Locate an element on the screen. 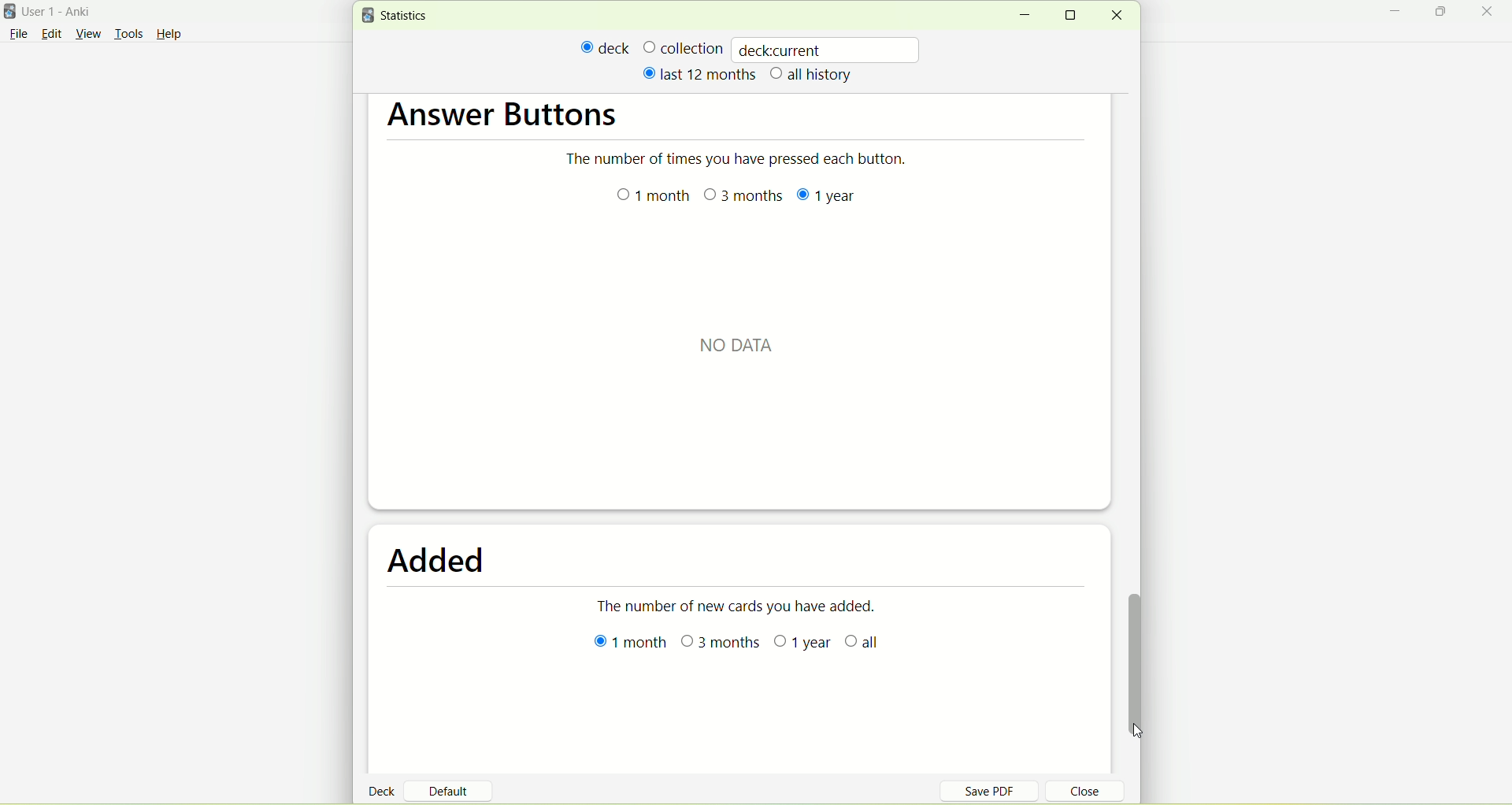  default is located at coordinates (454, 785).